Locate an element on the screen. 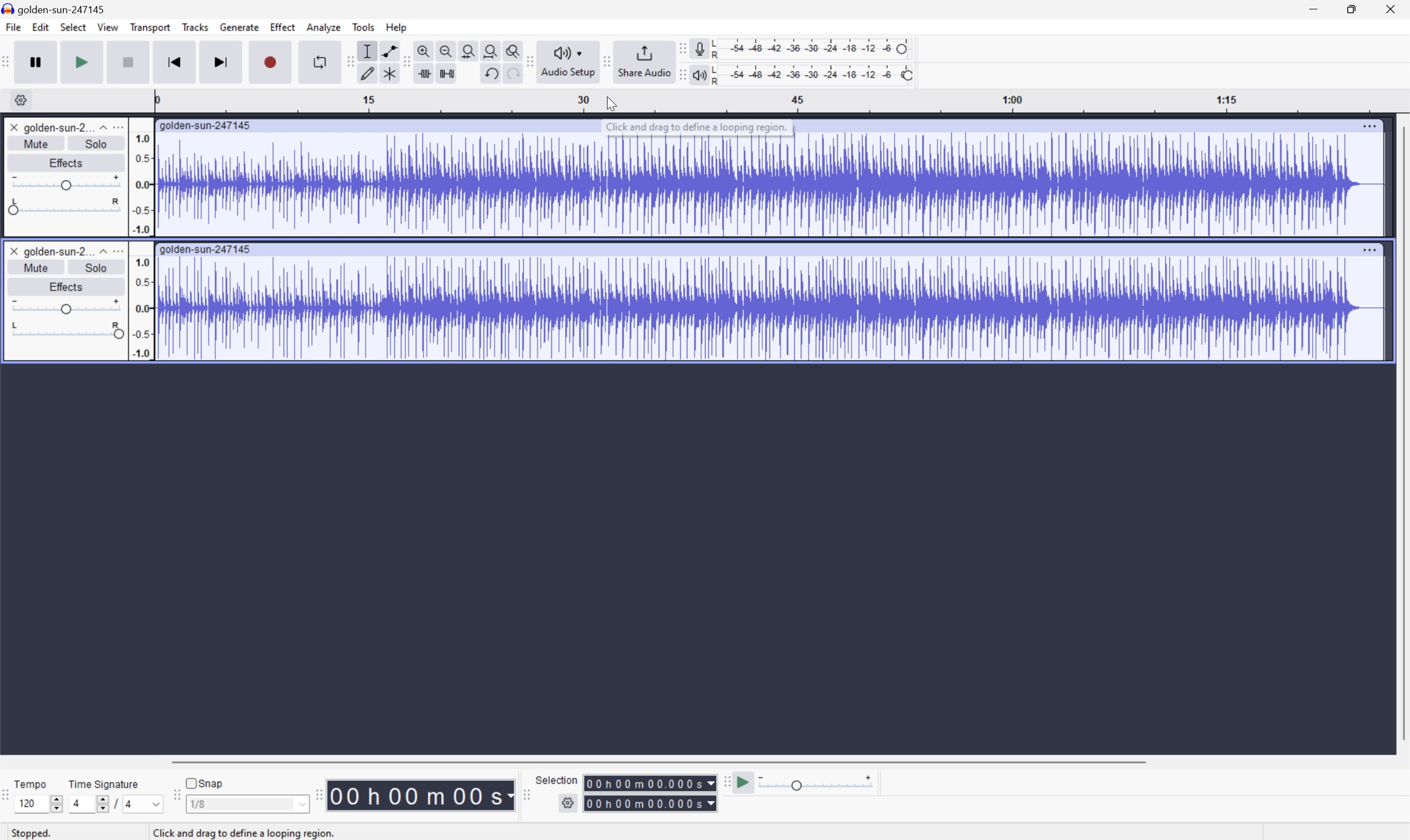 The image size is (1410, 840). Analyze is located at coordinates (325, 28).